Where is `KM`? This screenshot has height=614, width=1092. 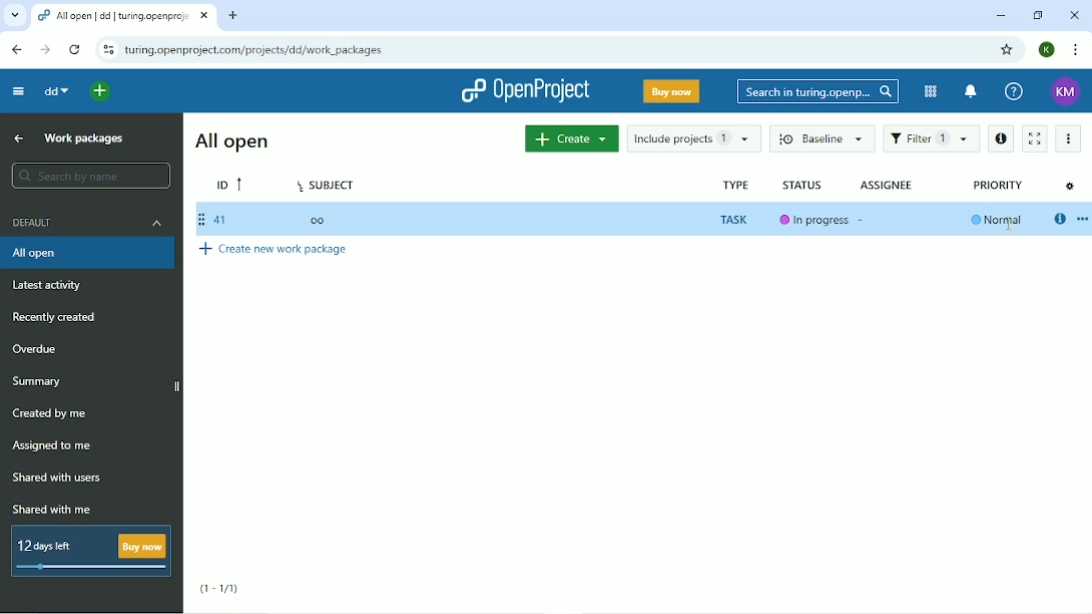
KM is located at coordinates (1066, 92).